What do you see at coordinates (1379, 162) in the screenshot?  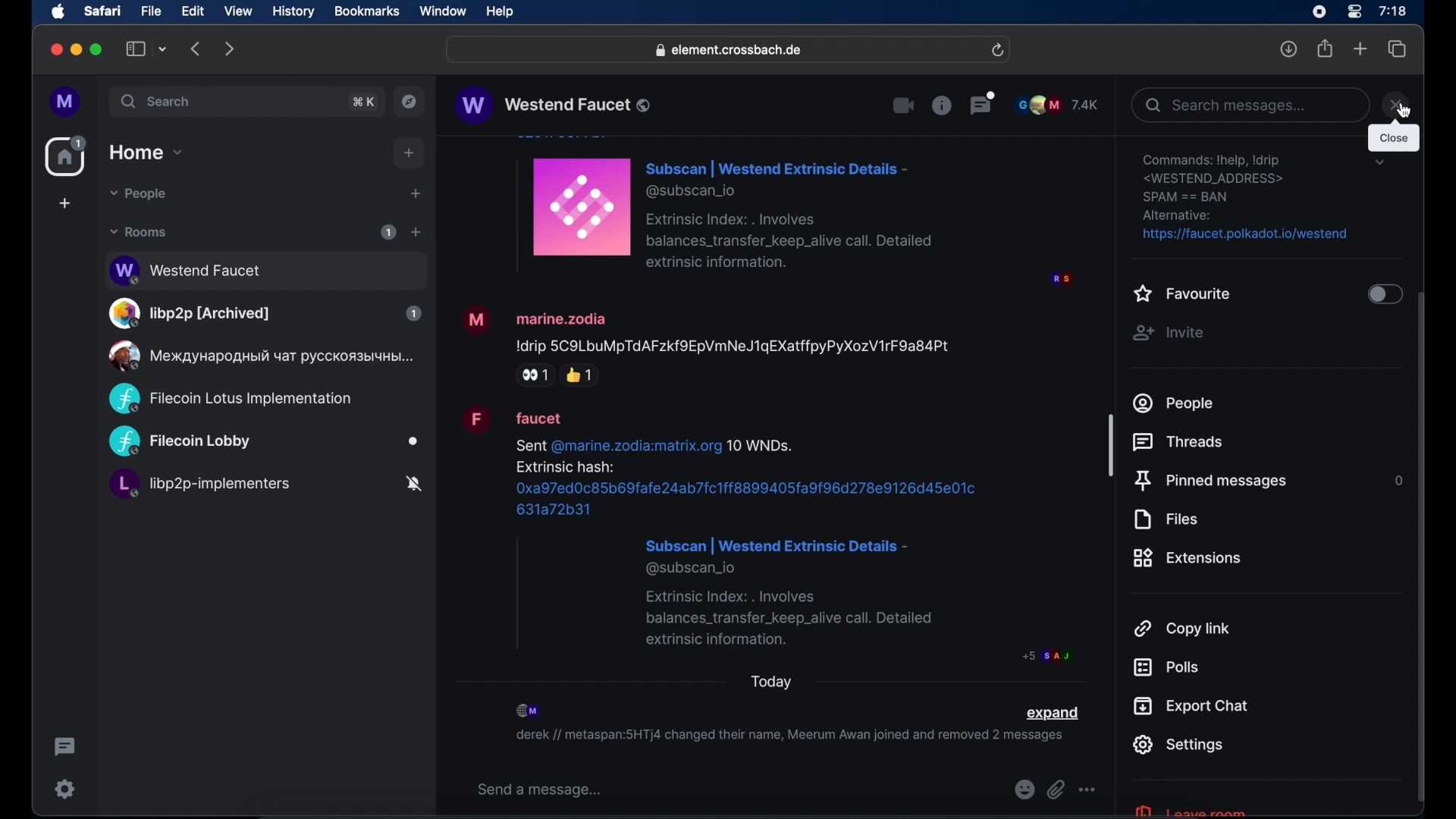 I see `dropdown` at bounding box center [1379, 162].